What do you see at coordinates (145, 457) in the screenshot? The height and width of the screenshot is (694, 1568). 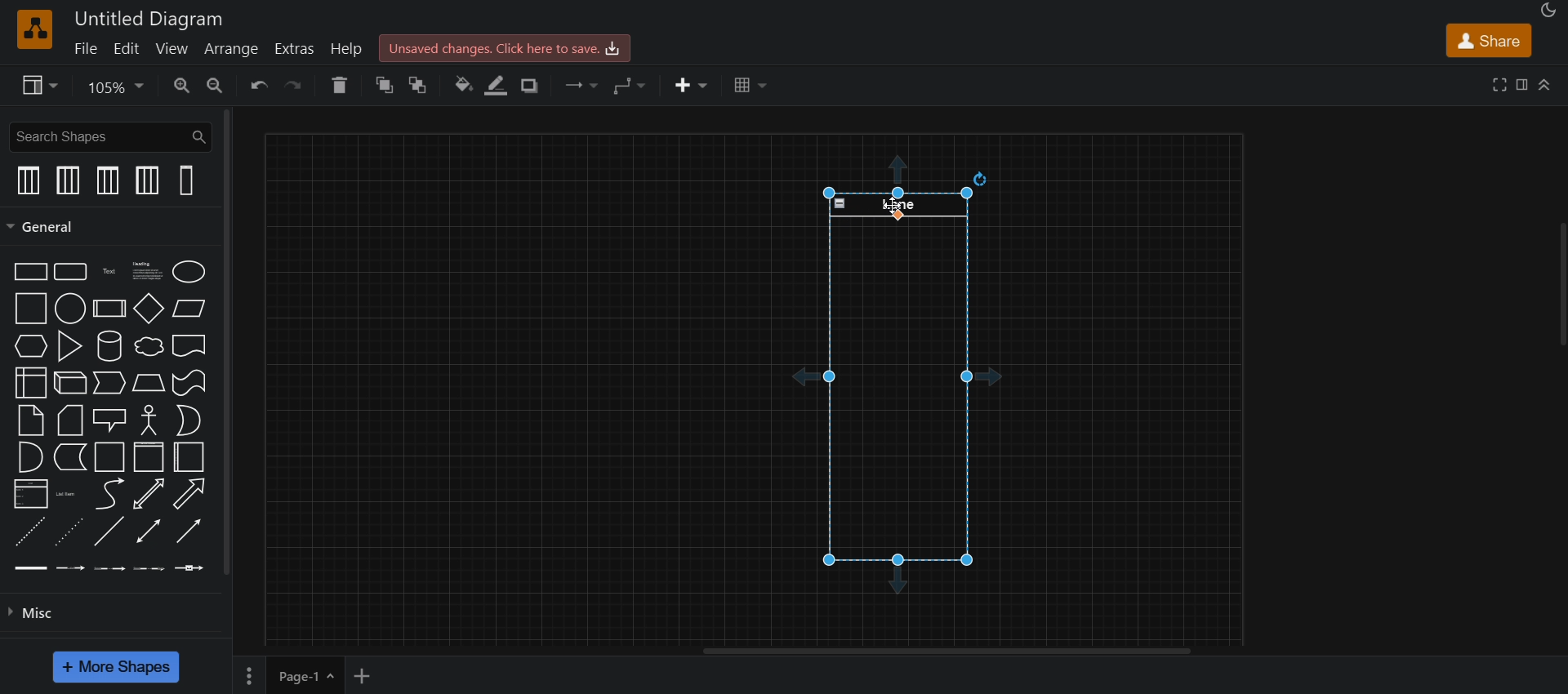 I see `horizontal container` at bounding box center [145, 457].